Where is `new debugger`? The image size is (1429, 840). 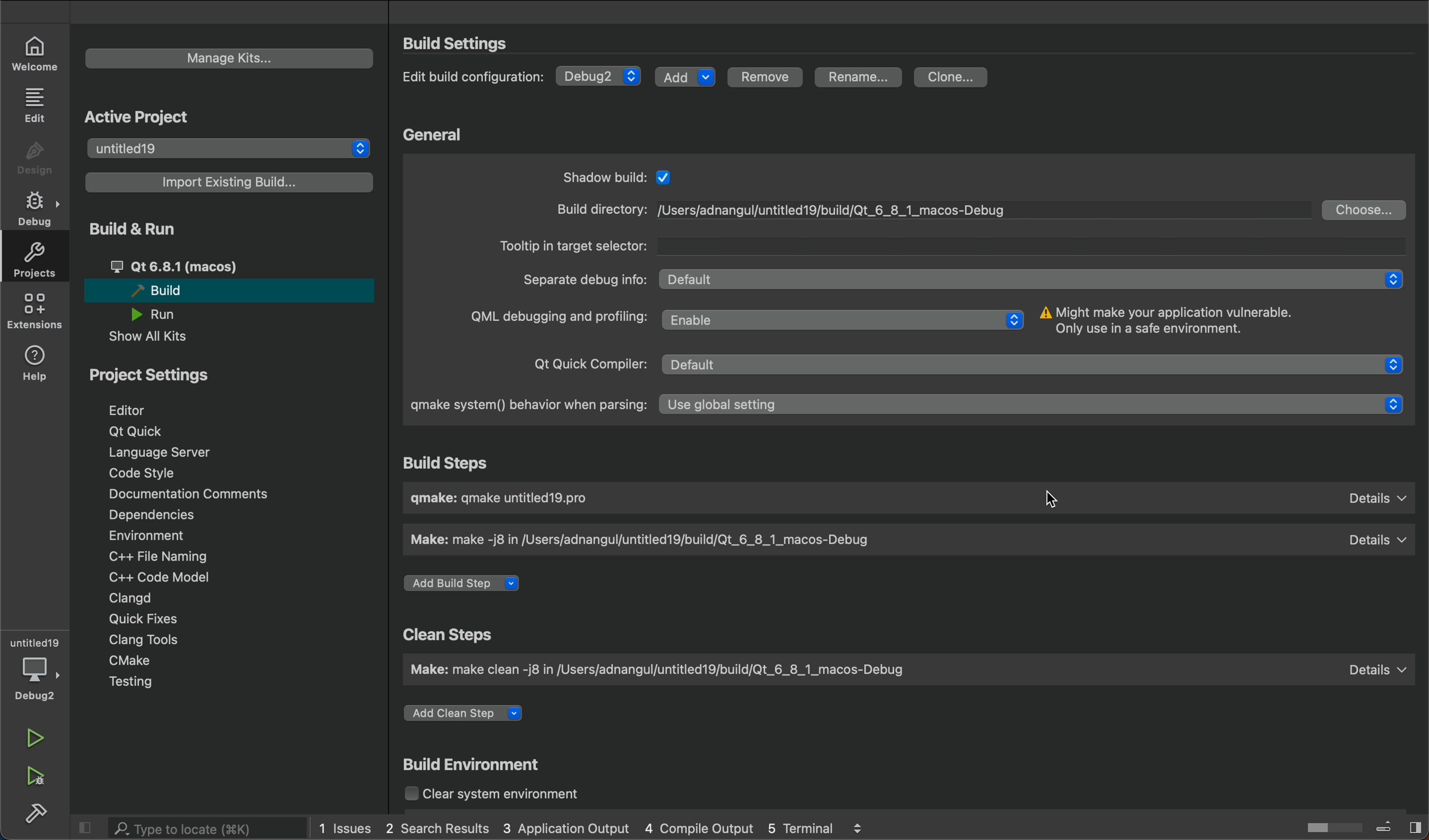 new debugger is located at coordinates (843, 211).